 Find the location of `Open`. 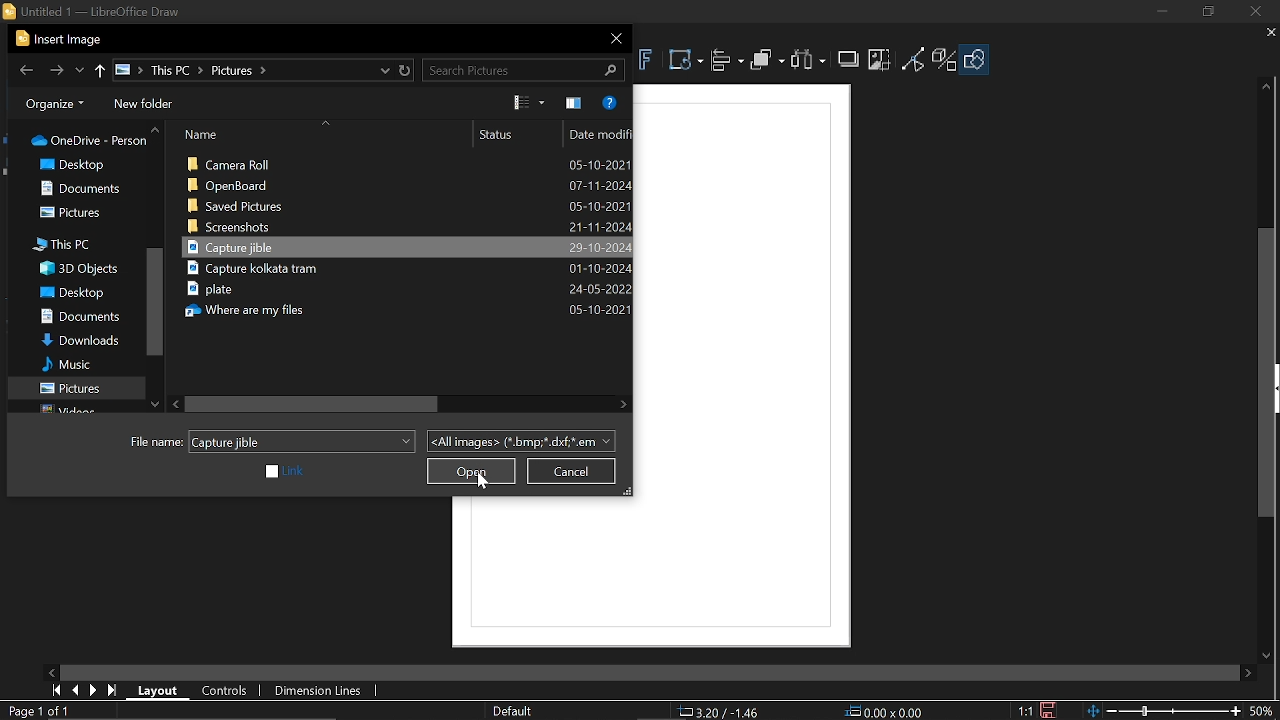

Open is located at coordinates (470, 473).